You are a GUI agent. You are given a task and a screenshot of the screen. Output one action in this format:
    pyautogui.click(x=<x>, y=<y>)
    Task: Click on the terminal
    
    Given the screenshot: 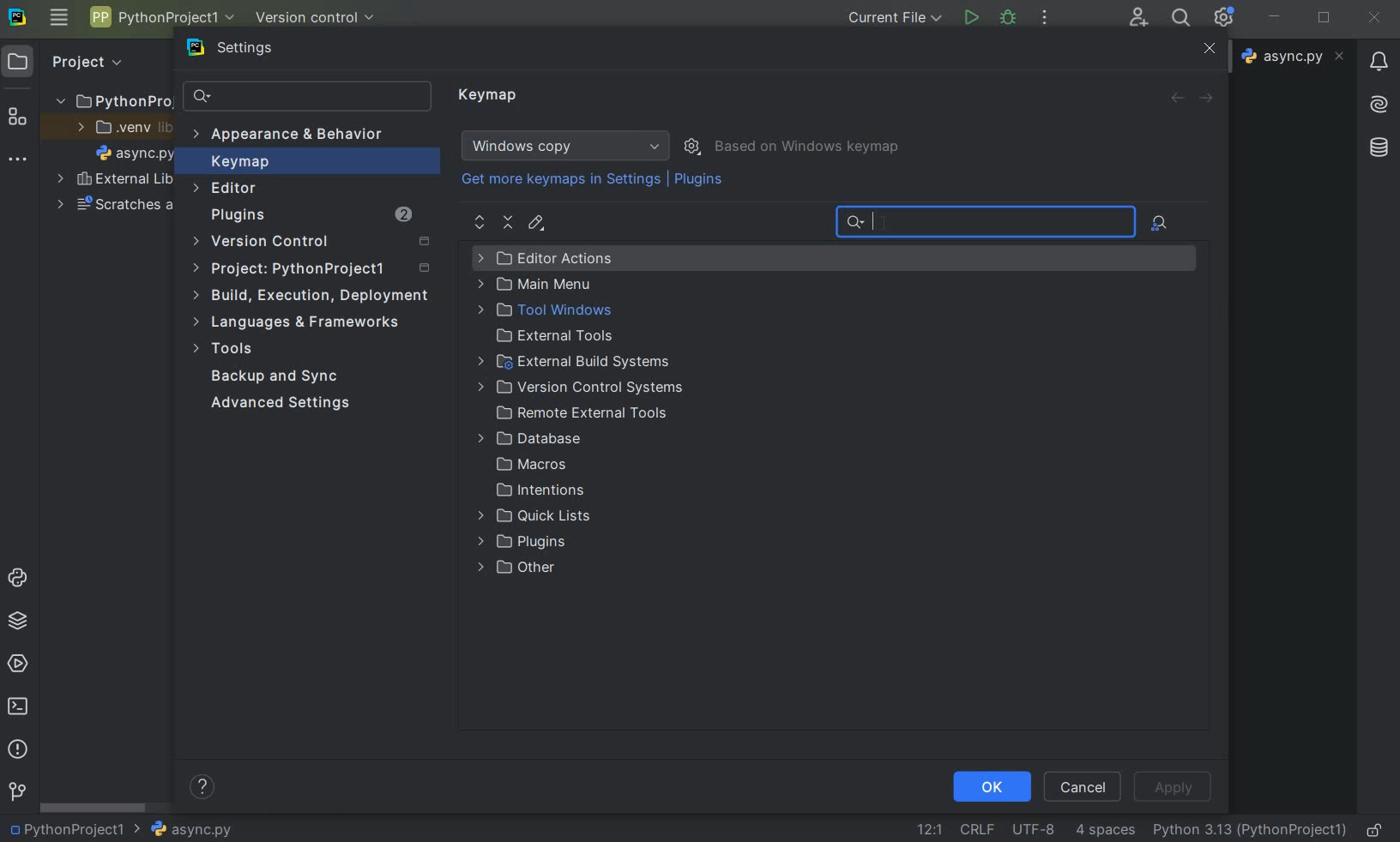 What is the action you would take?
    pyautogui.click(x=20, y=706)
    